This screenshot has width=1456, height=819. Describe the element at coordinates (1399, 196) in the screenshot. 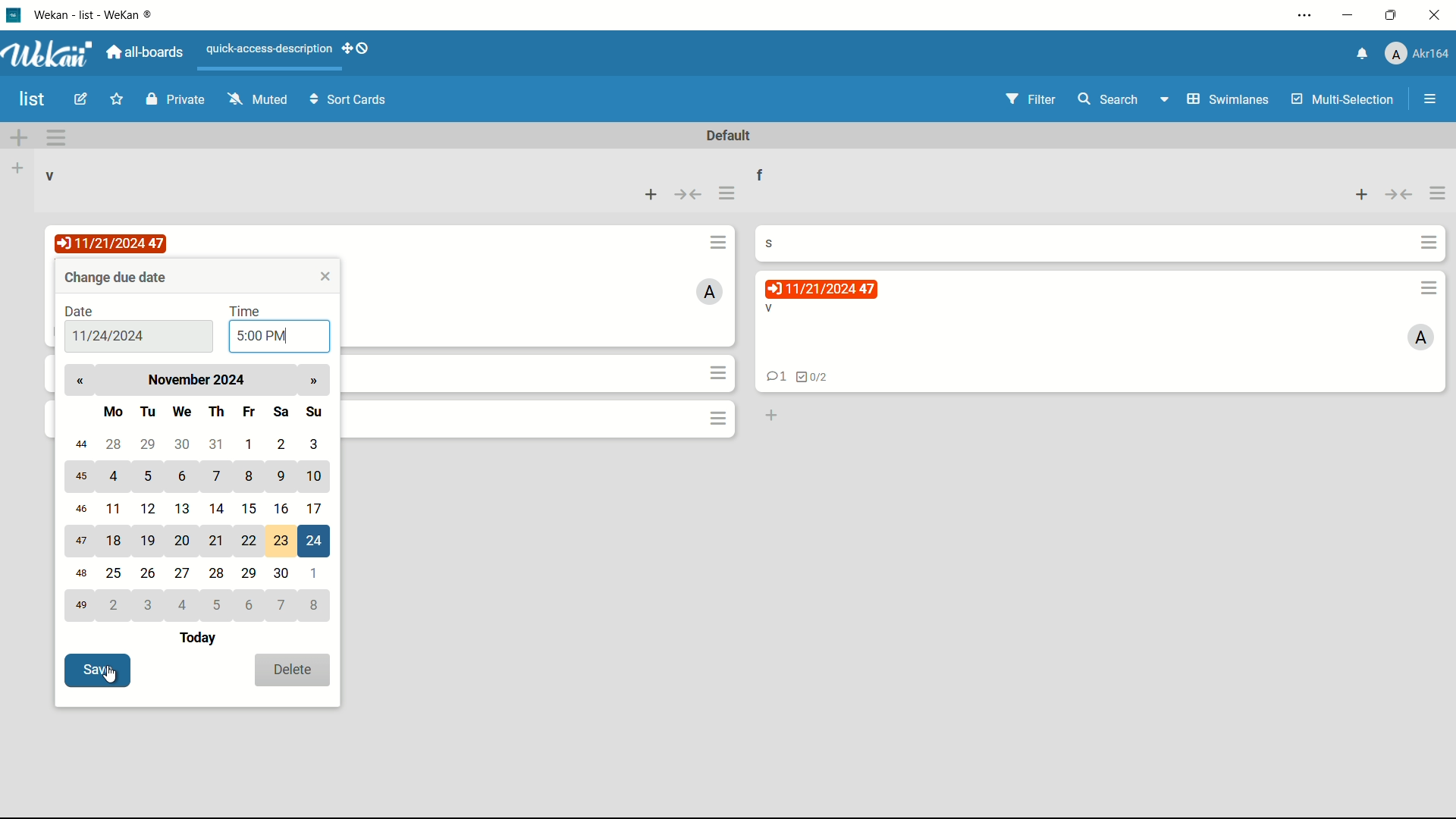

I see `collapse` at that location.